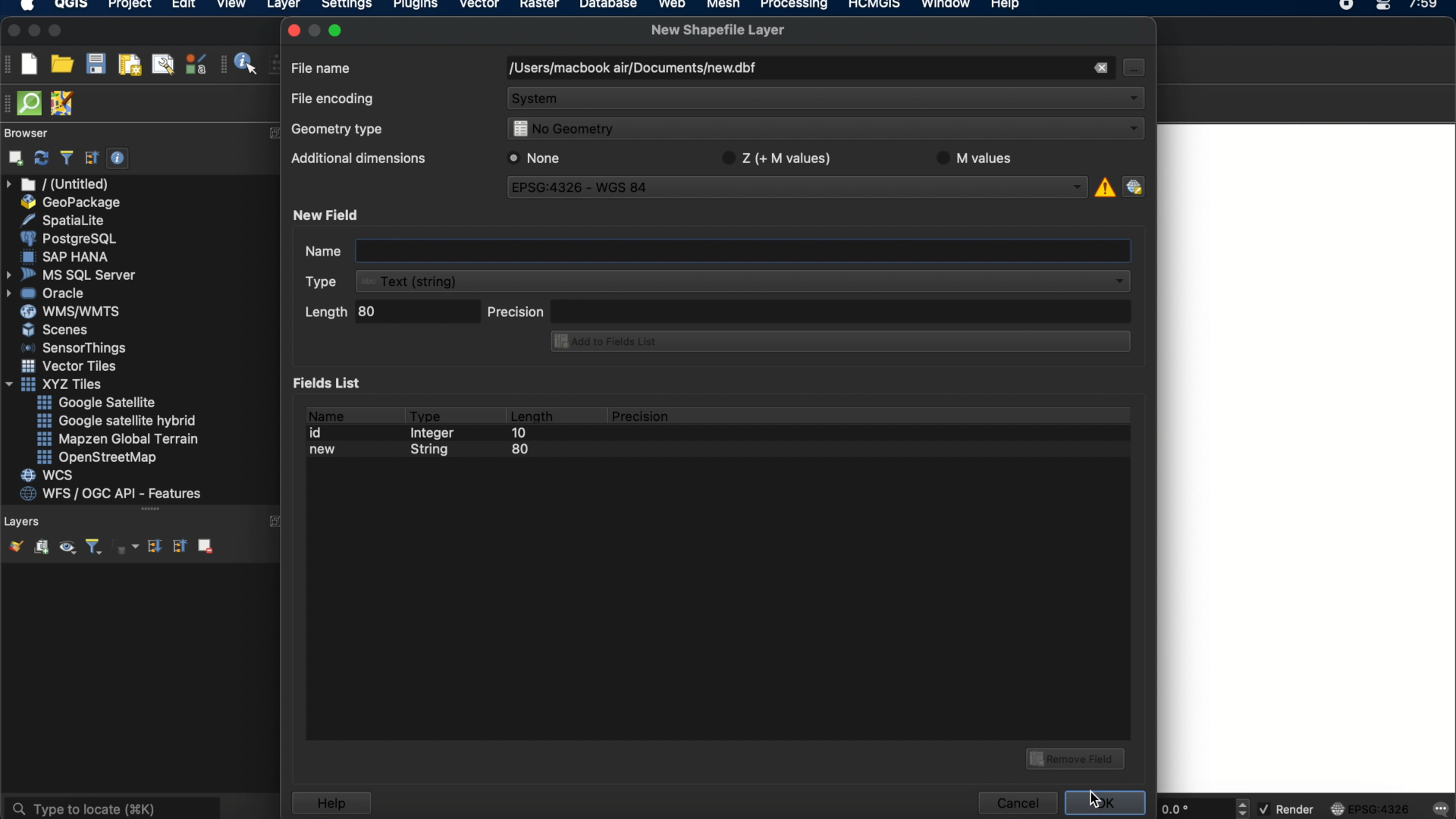  Describe the element at coordinates (723, 6) in the screenshot. I see `mesh` at that location.